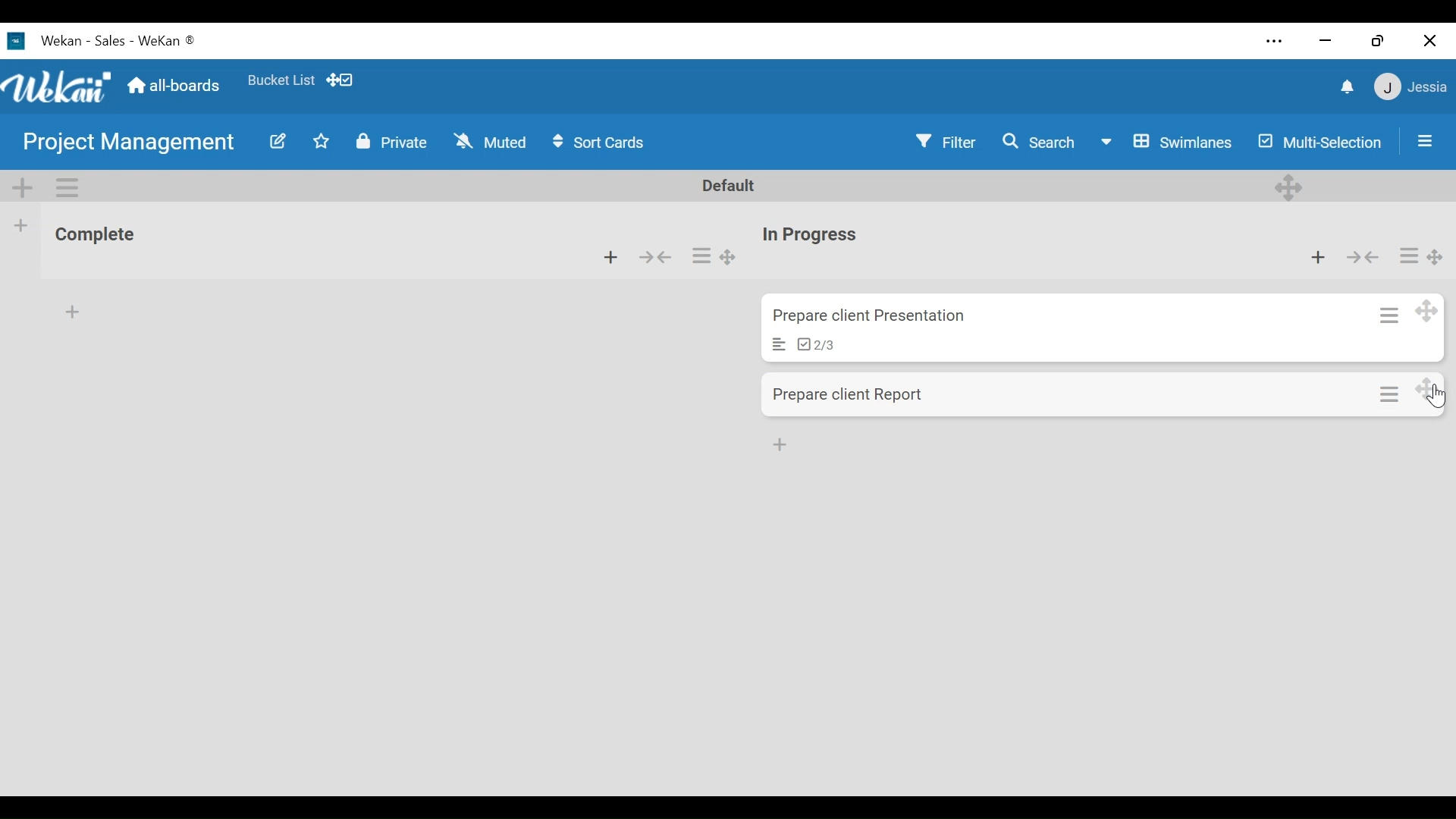 The image size is (1456, 819). I want to click on Desktop drag handles, so click(1436, 256).